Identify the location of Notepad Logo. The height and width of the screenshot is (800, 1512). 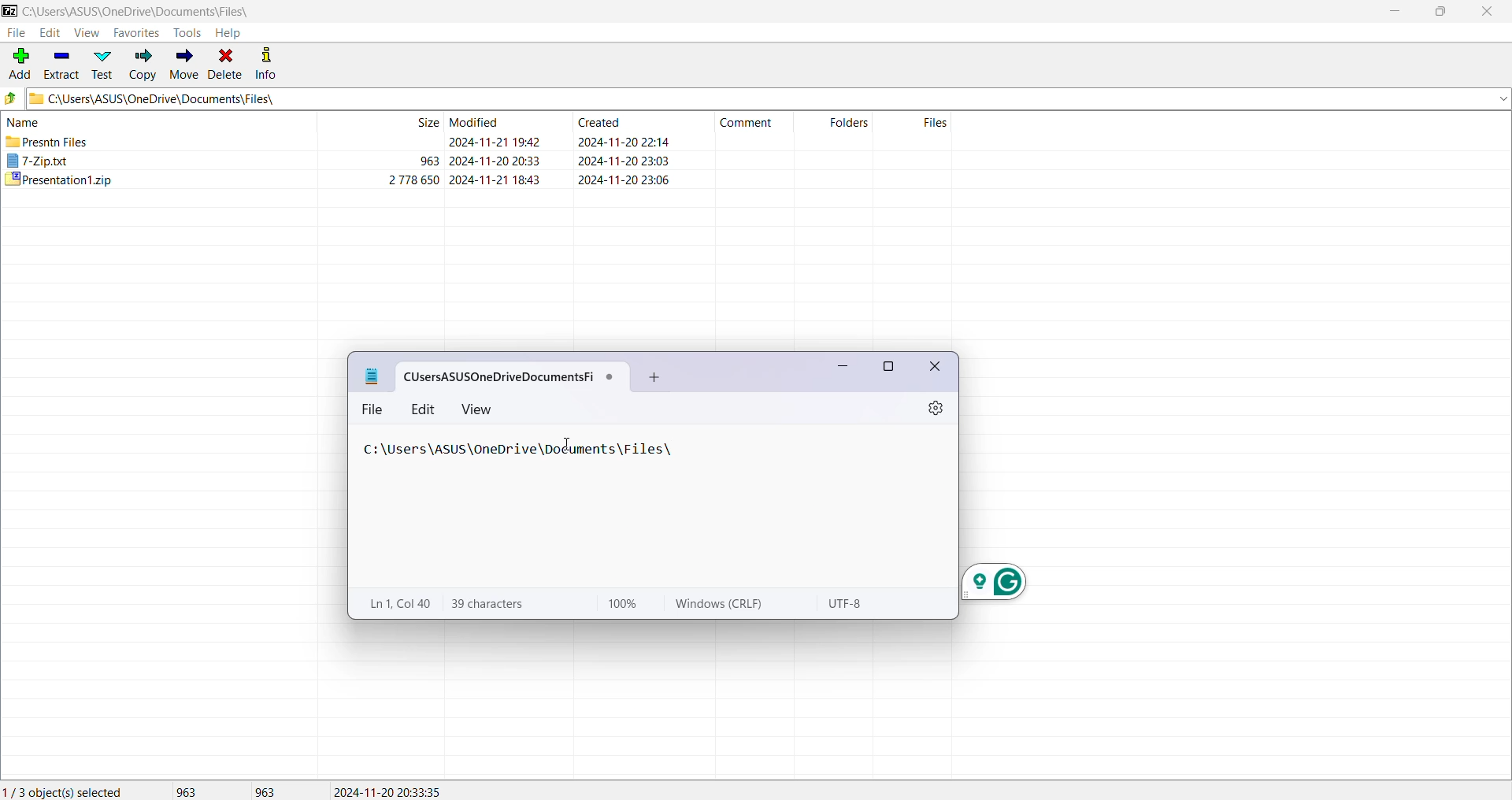
(373, 376).